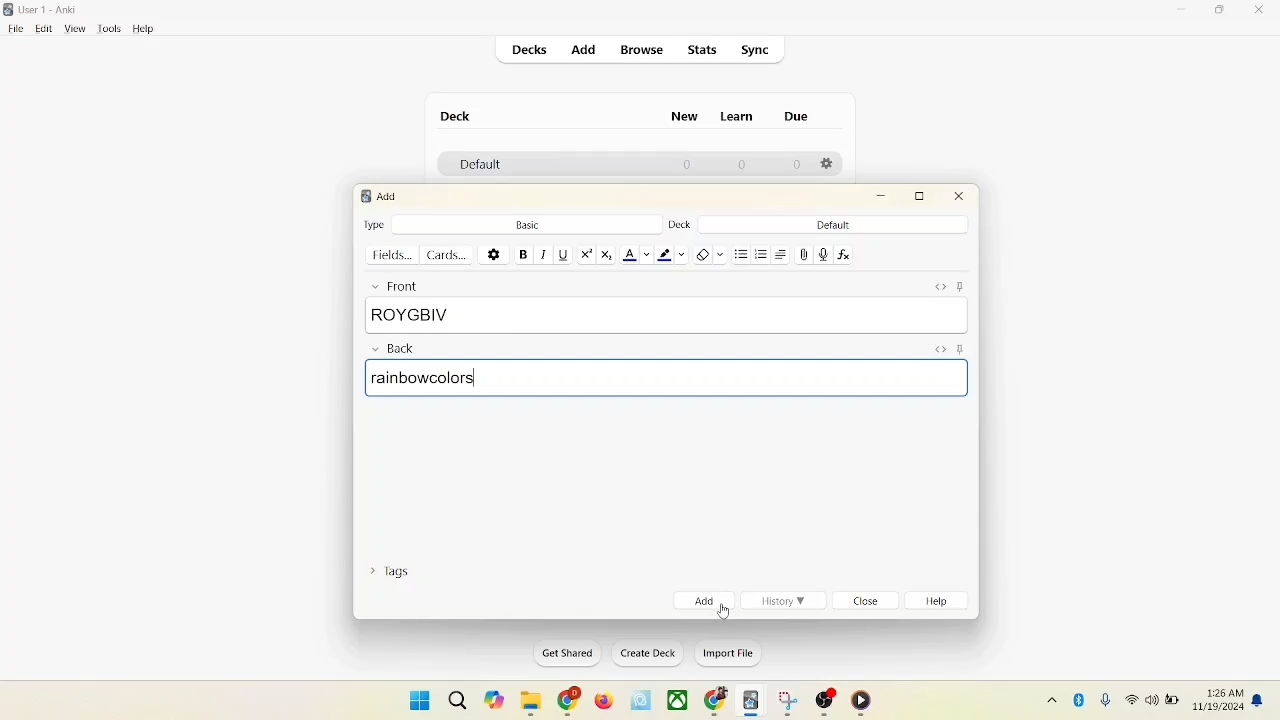 The image size is (1280, 720). What do you see at coordinates (742, 117) in the screenshot?
I see `learn` at bounding box center [742, 117].